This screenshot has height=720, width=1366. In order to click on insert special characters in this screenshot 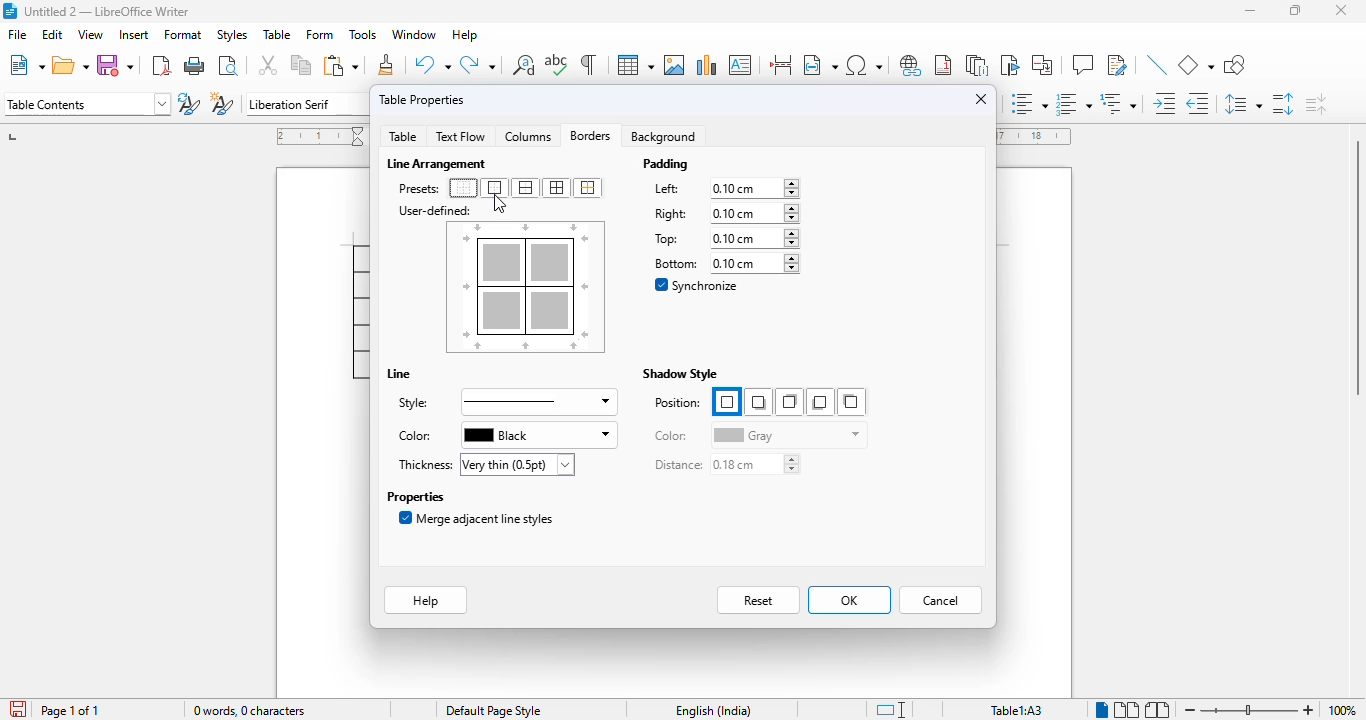, I will do `click(864, 65)`.